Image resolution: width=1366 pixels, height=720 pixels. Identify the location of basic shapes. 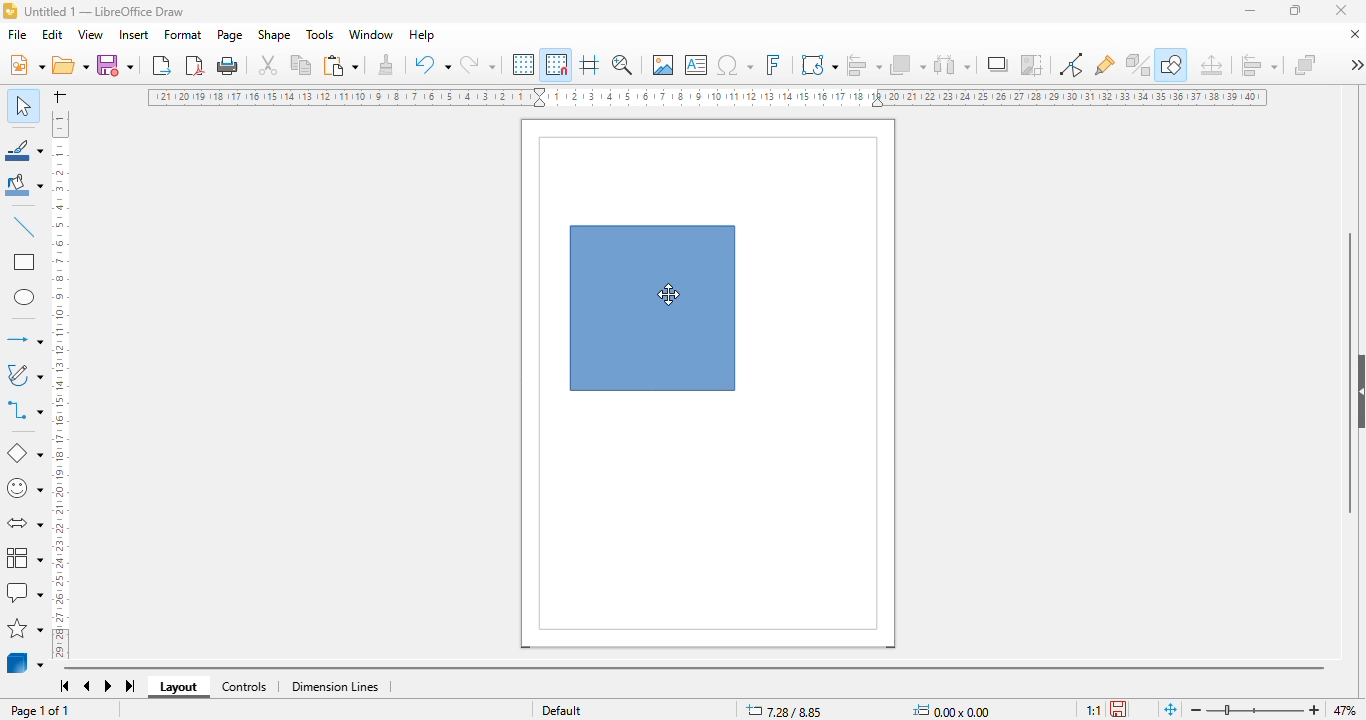
(23, 453).